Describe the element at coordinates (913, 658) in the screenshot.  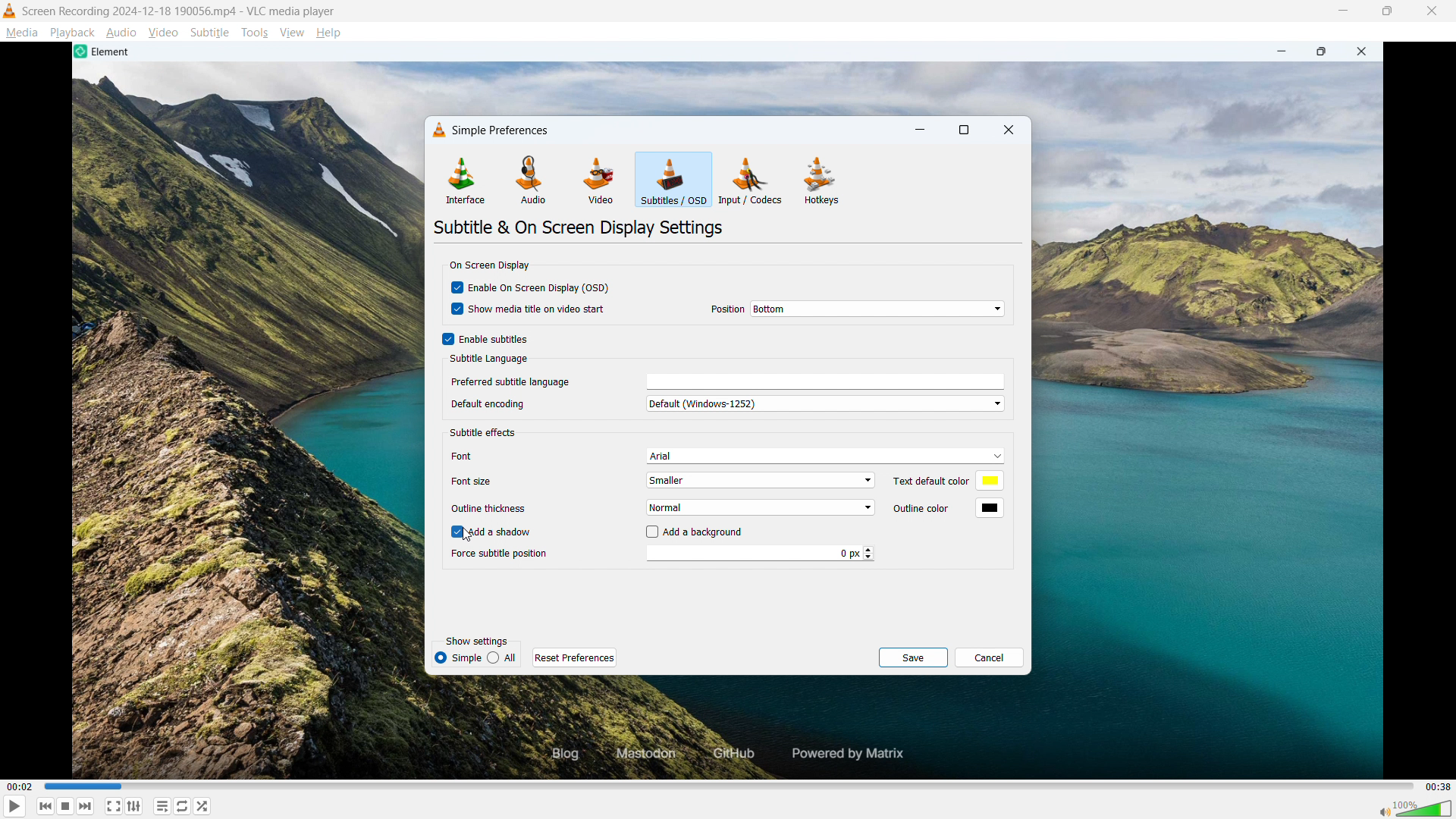
I see `save` at that location.